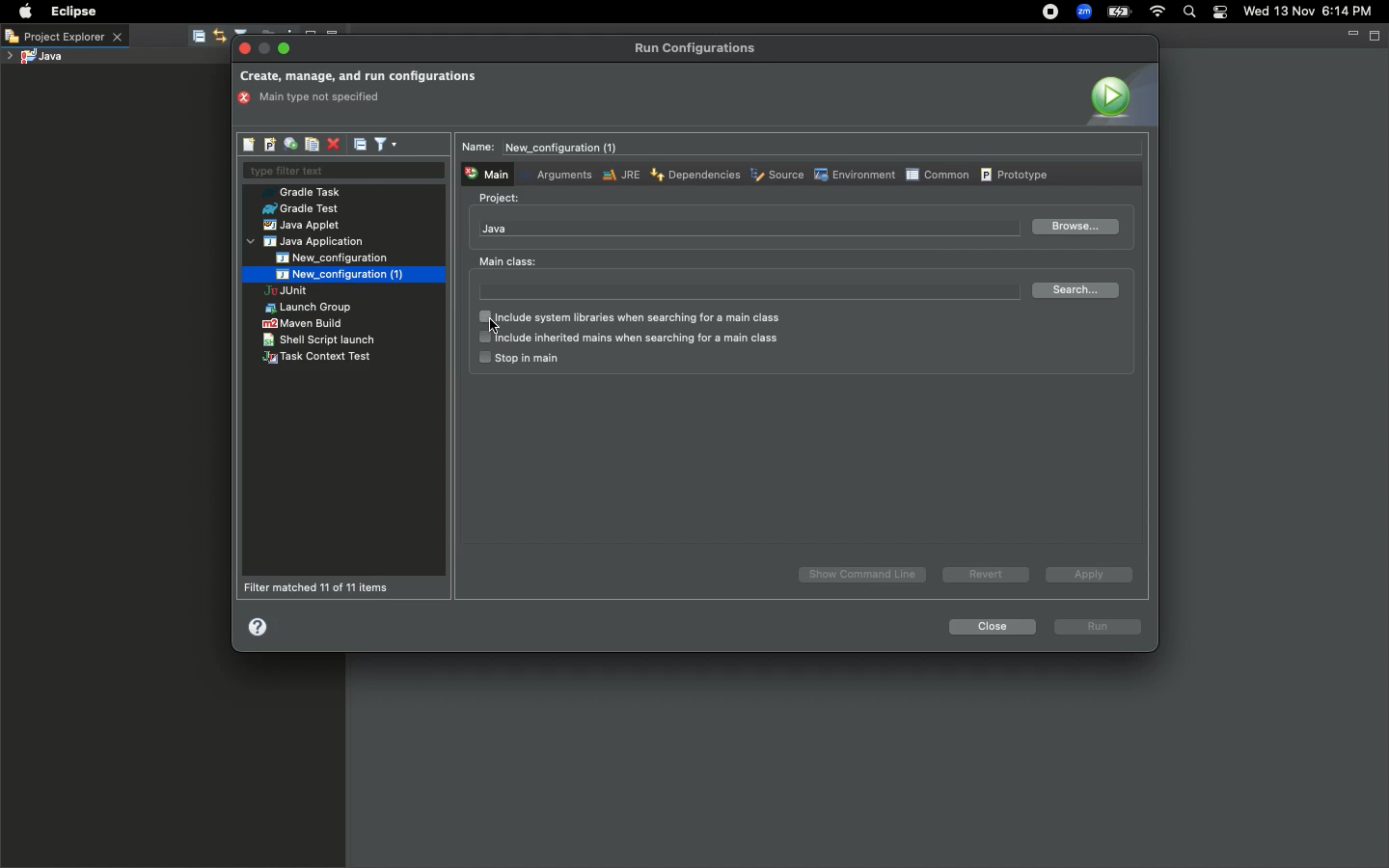 The image size is (1389, 868). I want to click on Notification, so click(1221, 13).